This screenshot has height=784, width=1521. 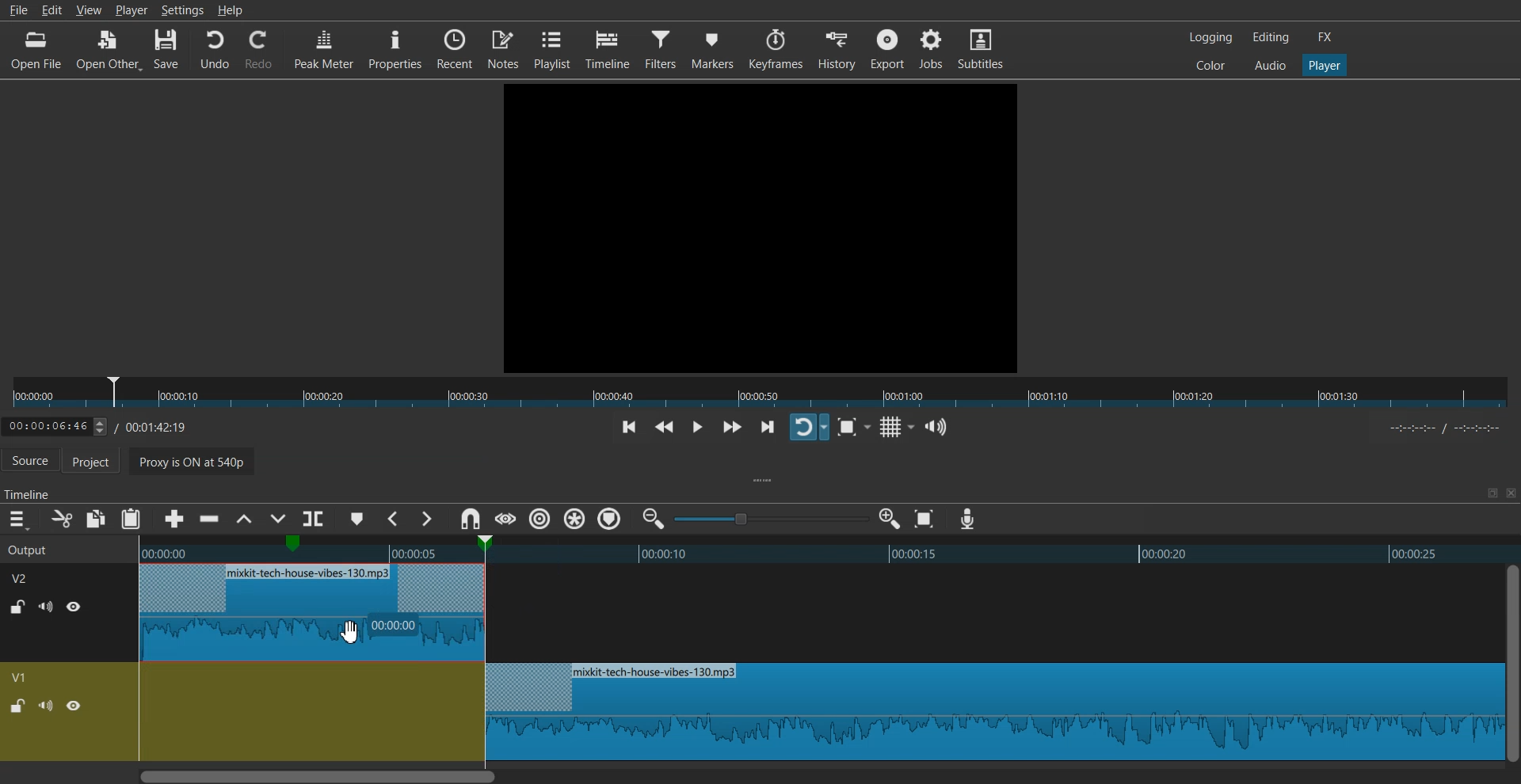 What do you see at coordinates (28, 577) in the screenshot?
I see `V2` at bounding box center [28, 577].